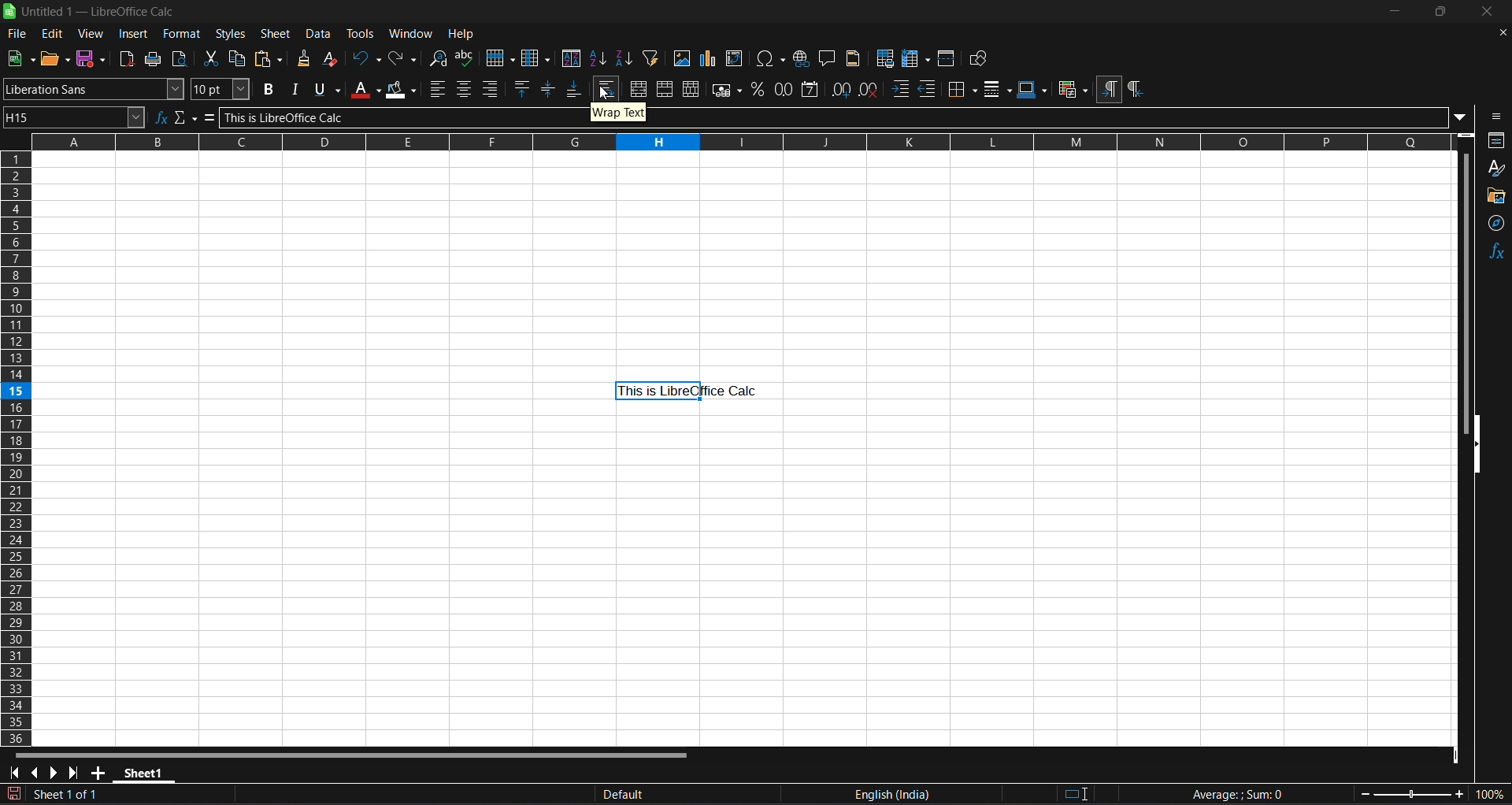  Describe the element at coordinates (772, 57) in the screenshot. I see `insert special characters` at that location.